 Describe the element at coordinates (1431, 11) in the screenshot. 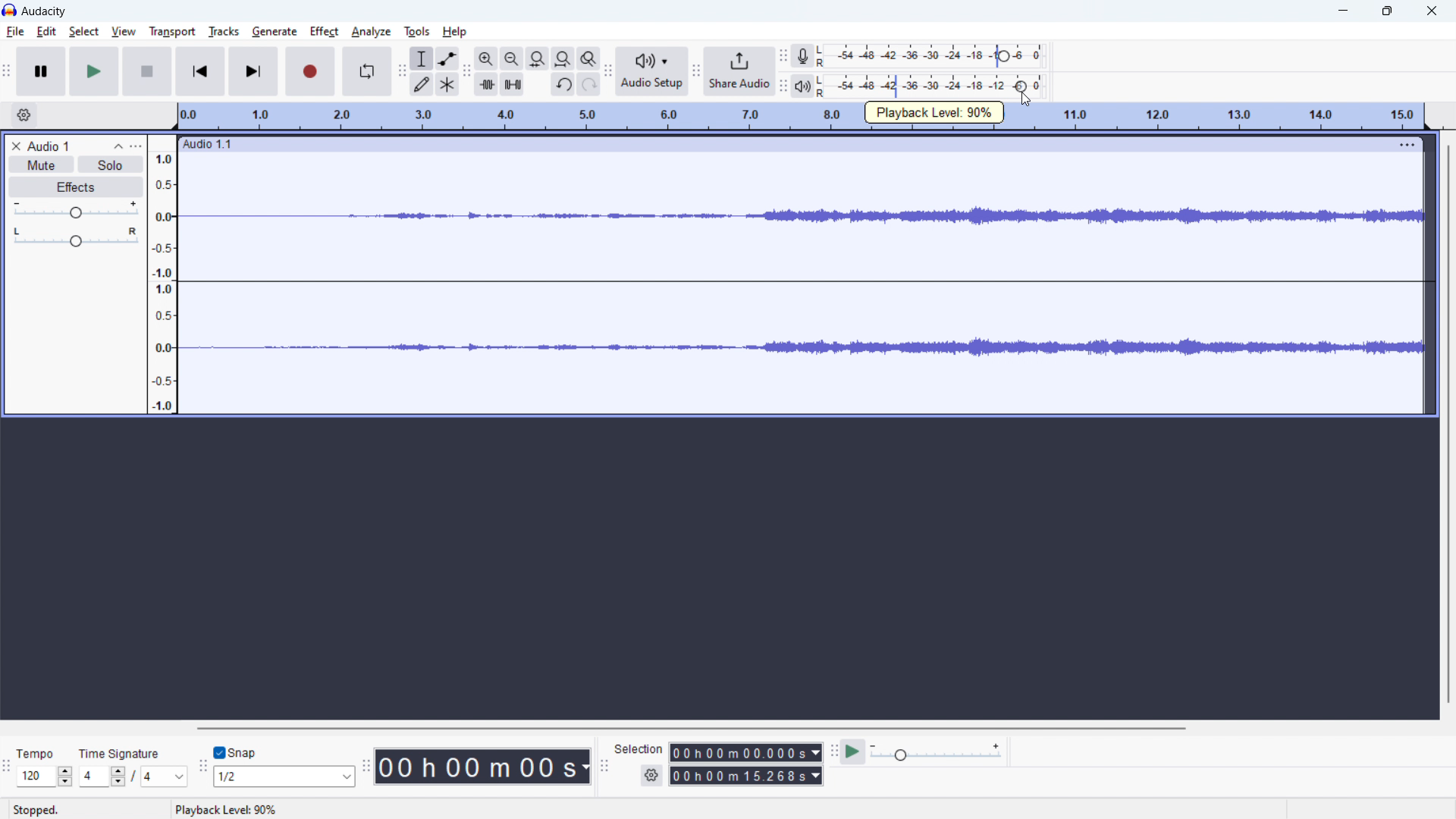

I see `close` at that location.